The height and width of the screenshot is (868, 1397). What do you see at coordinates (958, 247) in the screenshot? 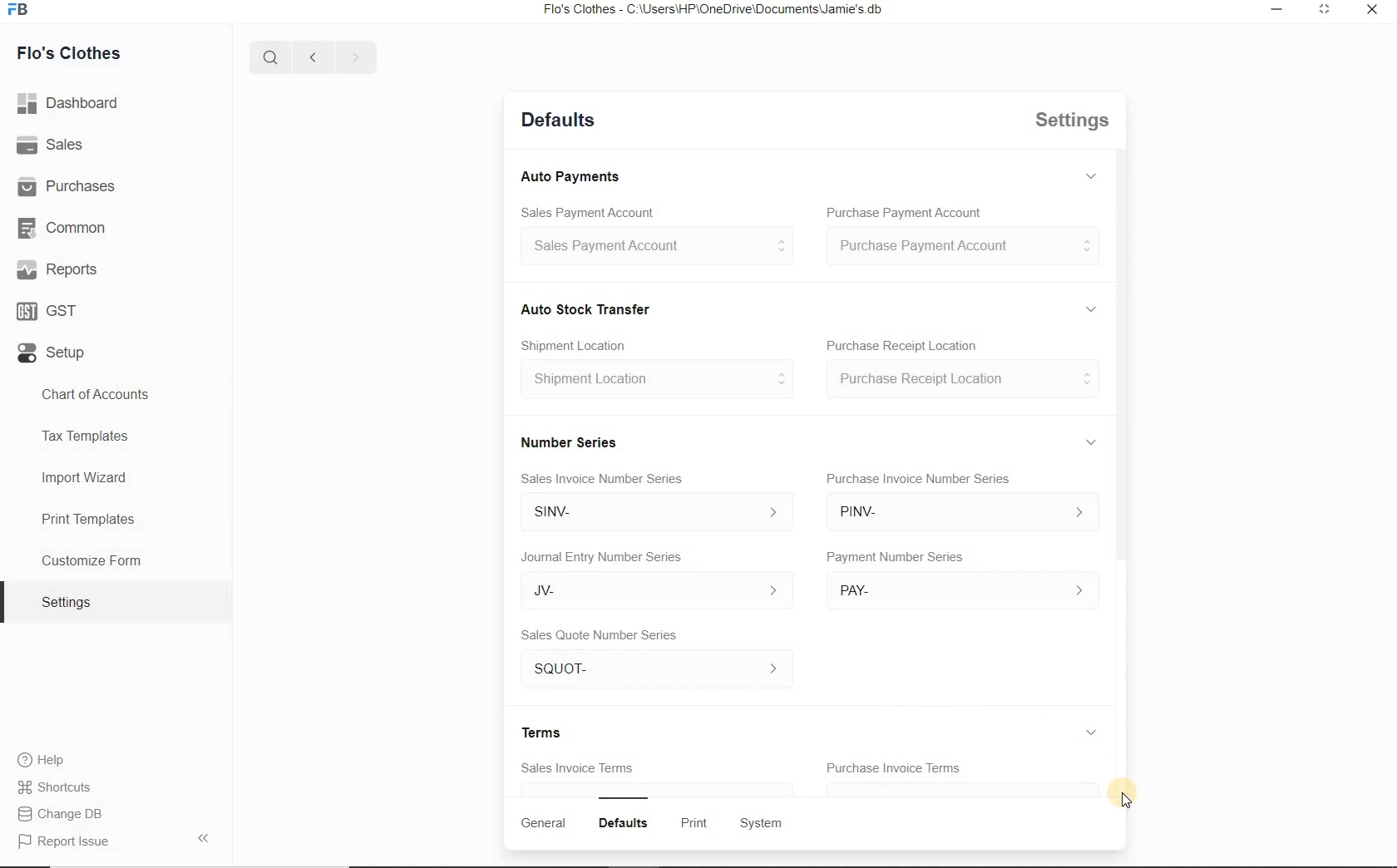
I see `Purchase Payment Account S` at bounding box center [958, 247].